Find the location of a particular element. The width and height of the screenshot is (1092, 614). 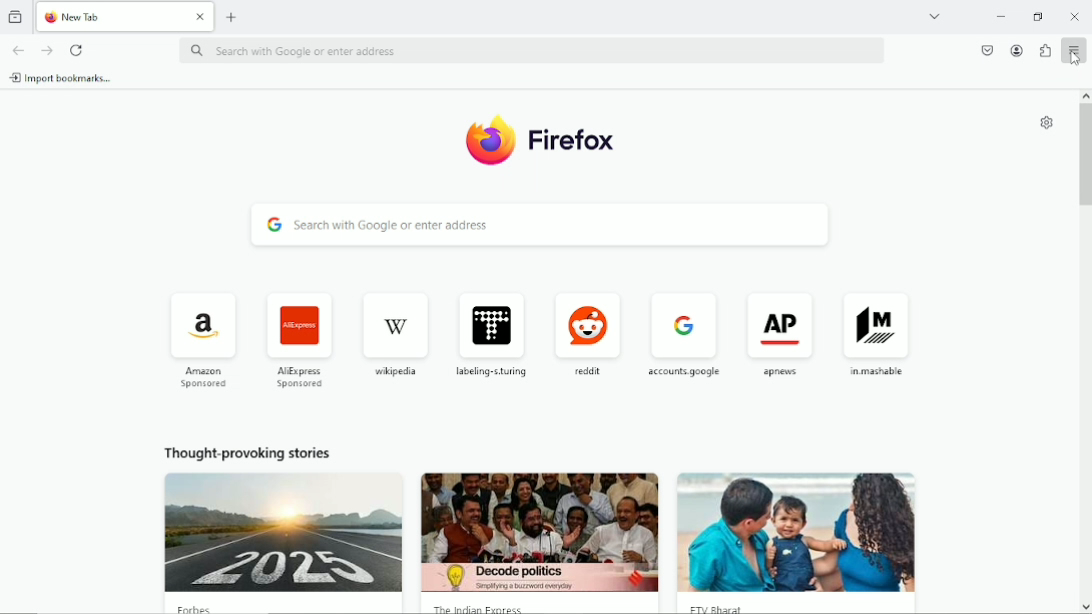

labeling turing is located at coordinates (491, 336).